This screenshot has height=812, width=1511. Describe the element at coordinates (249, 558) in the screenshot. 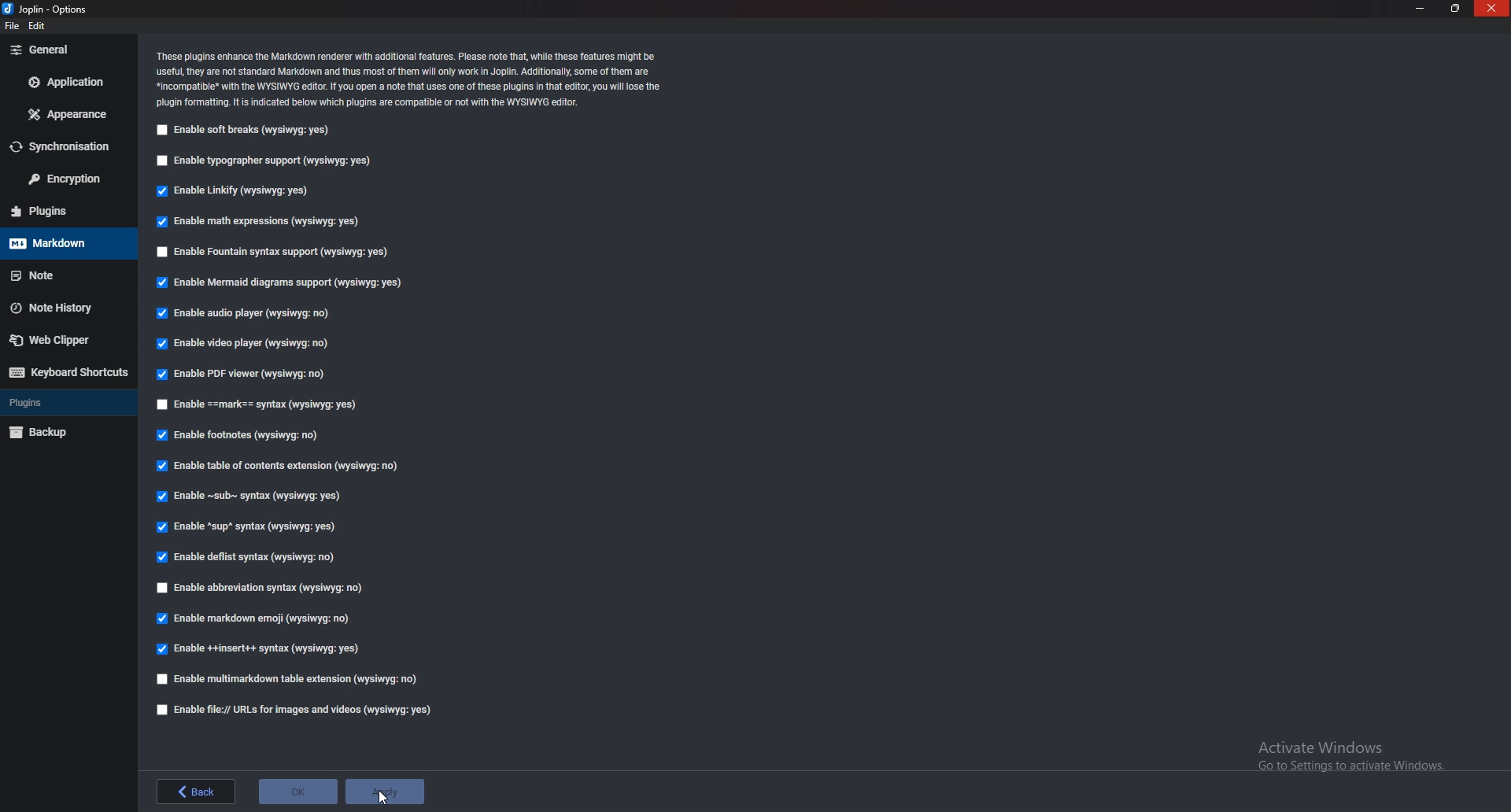

I see ` Enable deflist syntax` at that location.